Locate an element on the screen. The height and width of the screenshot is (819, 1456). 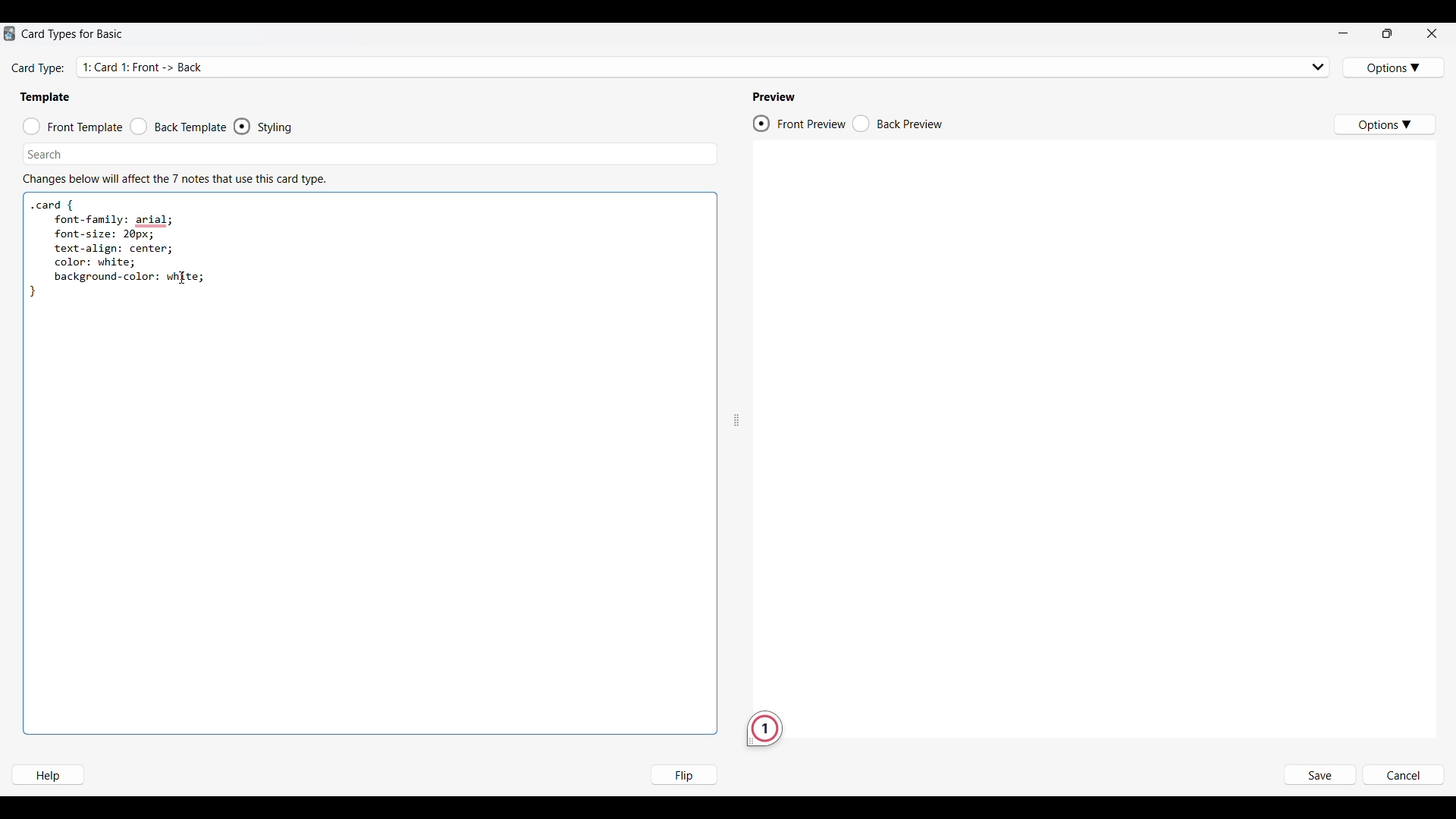
Help is located at coordinates (47, 775).